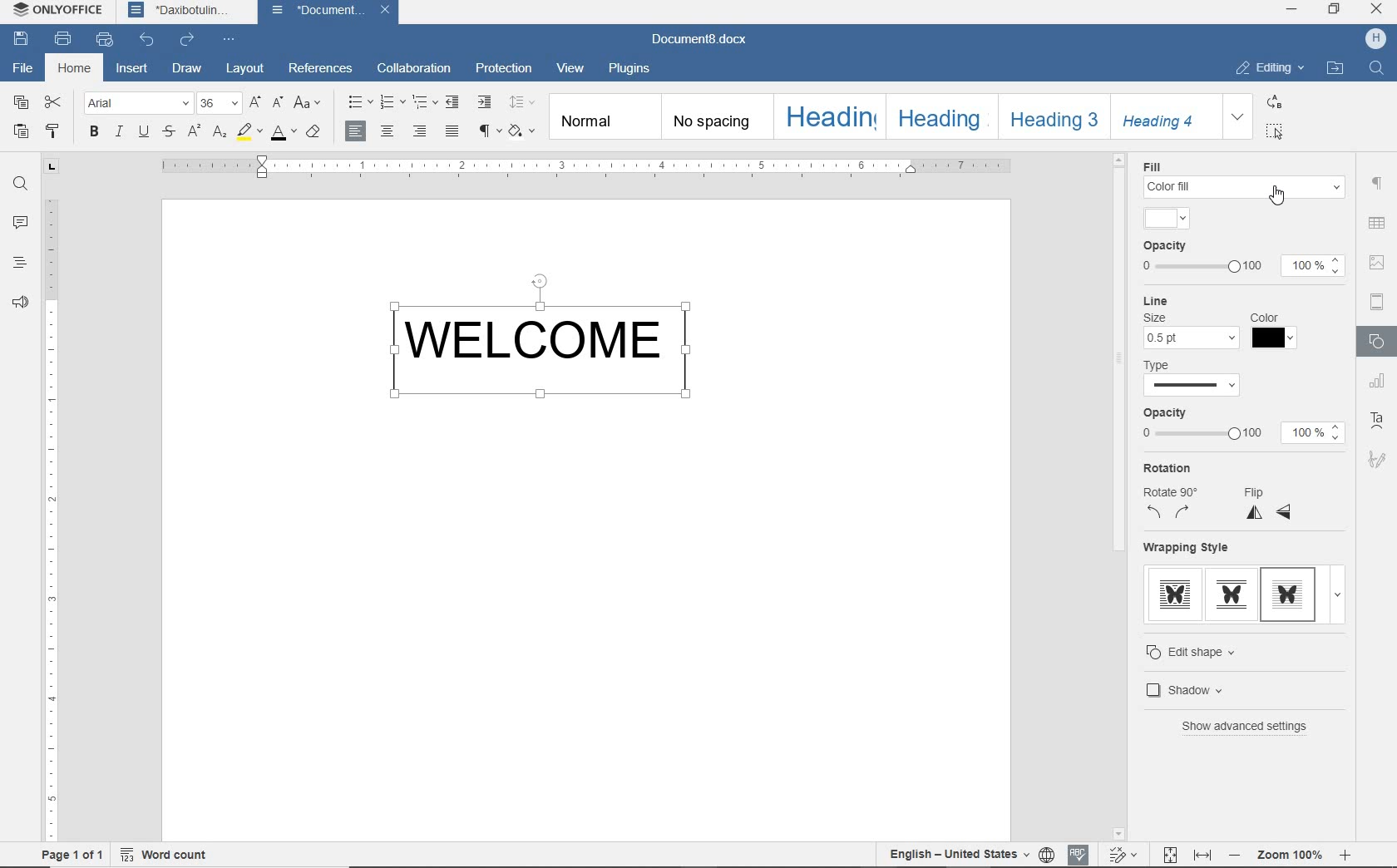 The width and height of the screenshot is (1397, 868). I want to click on FONT, so click(136, 104).